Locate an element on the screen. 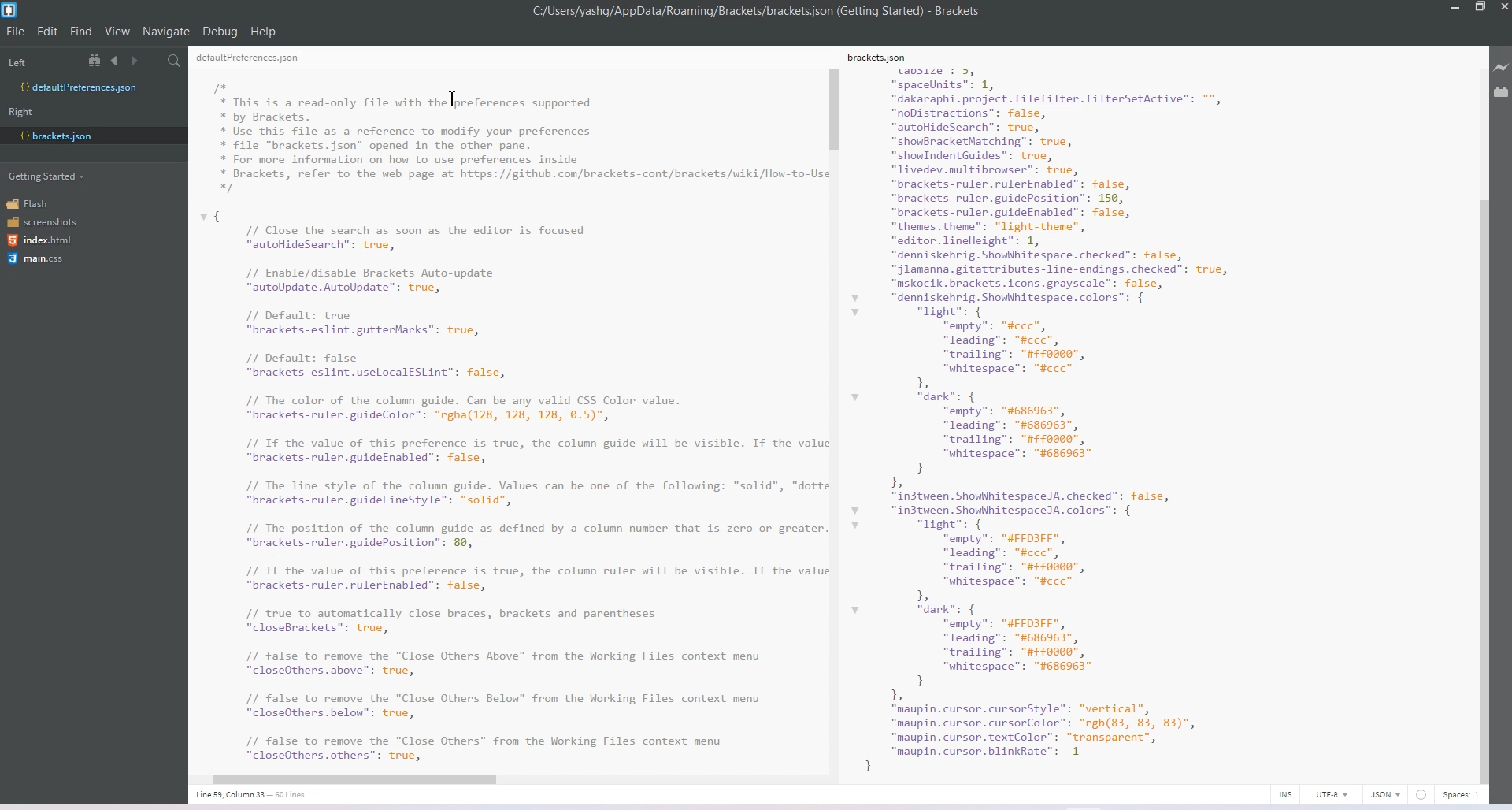  Live Preview is located at coordinates (1502, 68).